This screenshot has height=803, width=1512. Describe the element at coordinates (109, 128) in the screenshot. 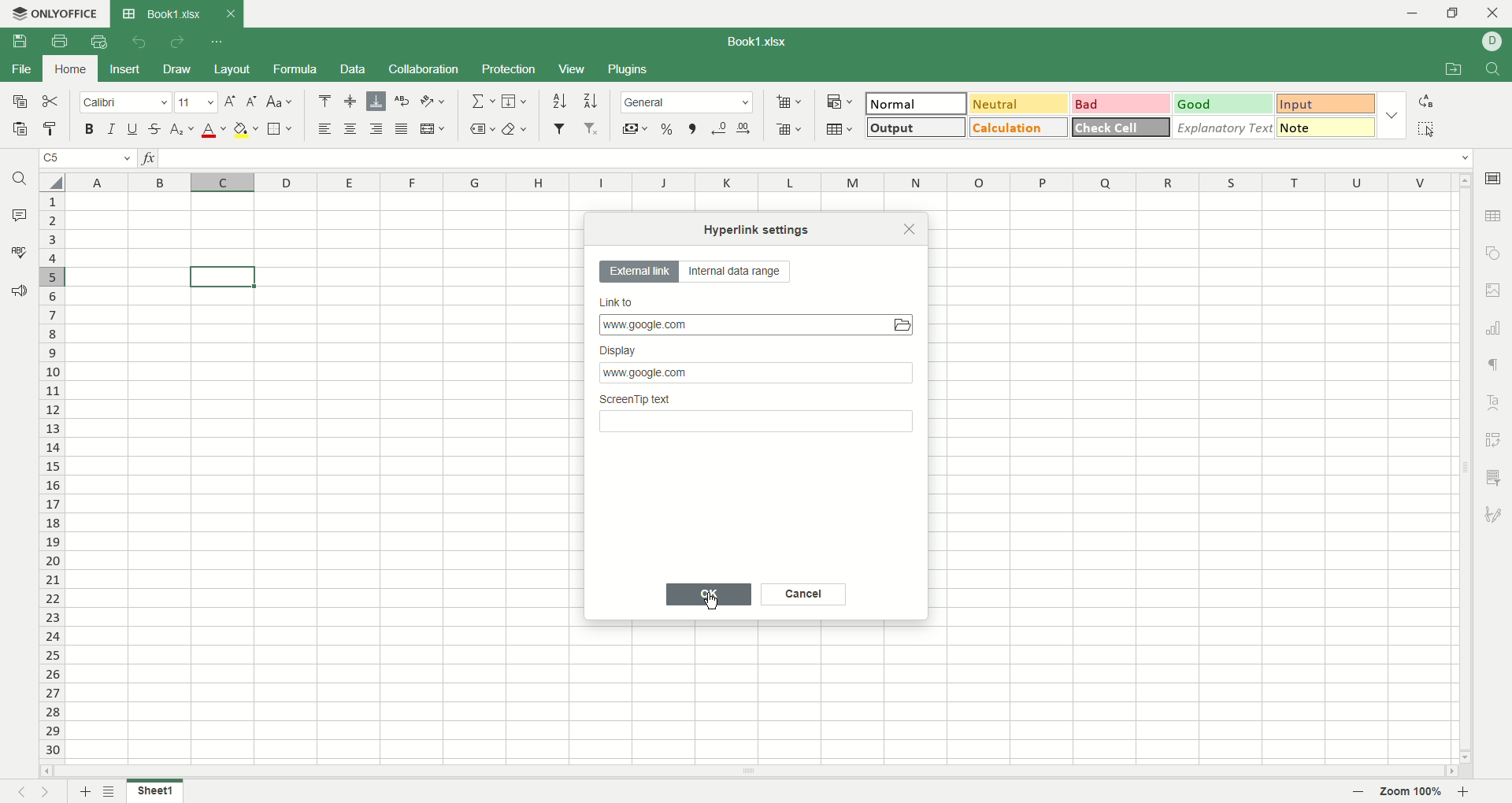

I see `italics` at that location.